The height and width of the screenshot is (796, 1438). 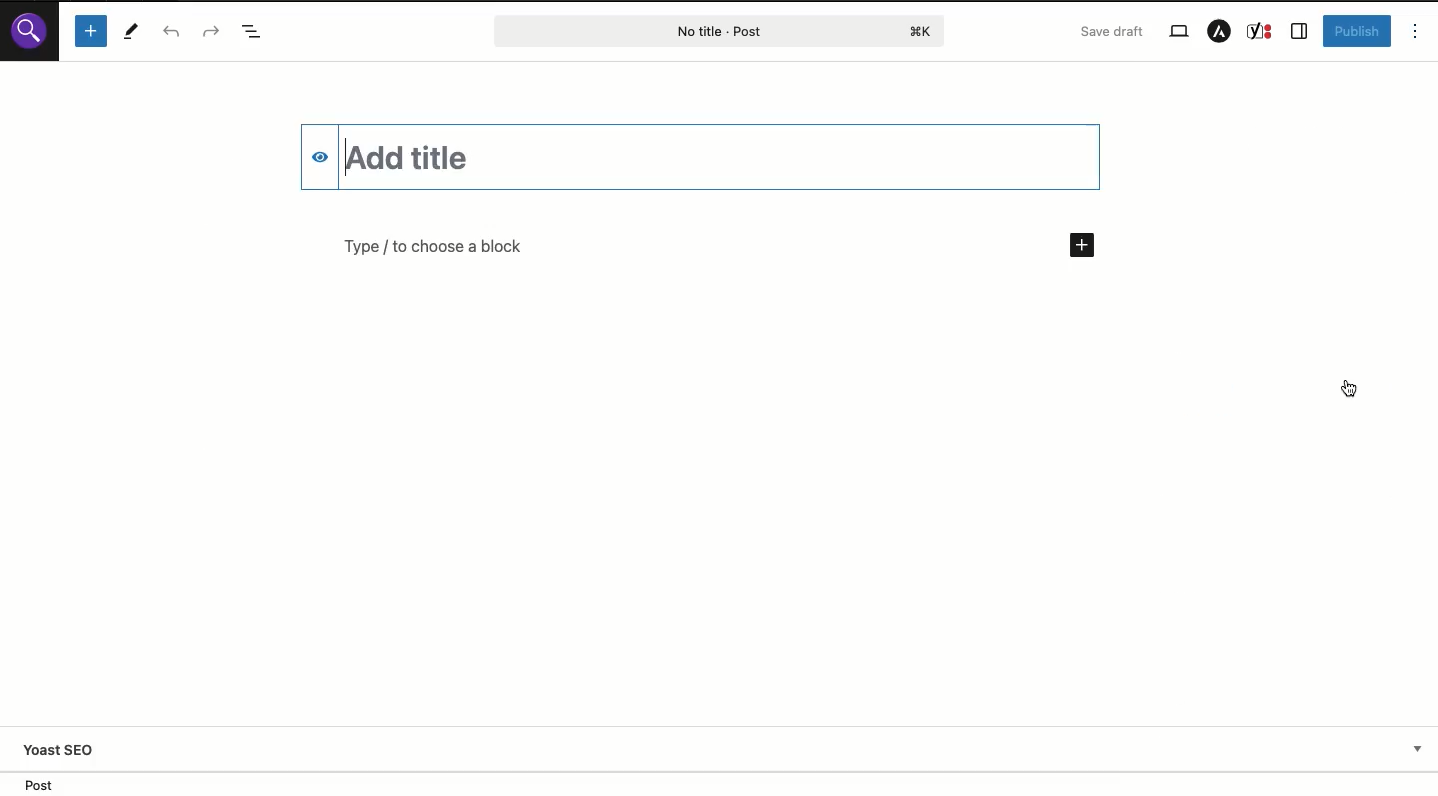 I want to click on Doc overview, so click(x=256, y=33).